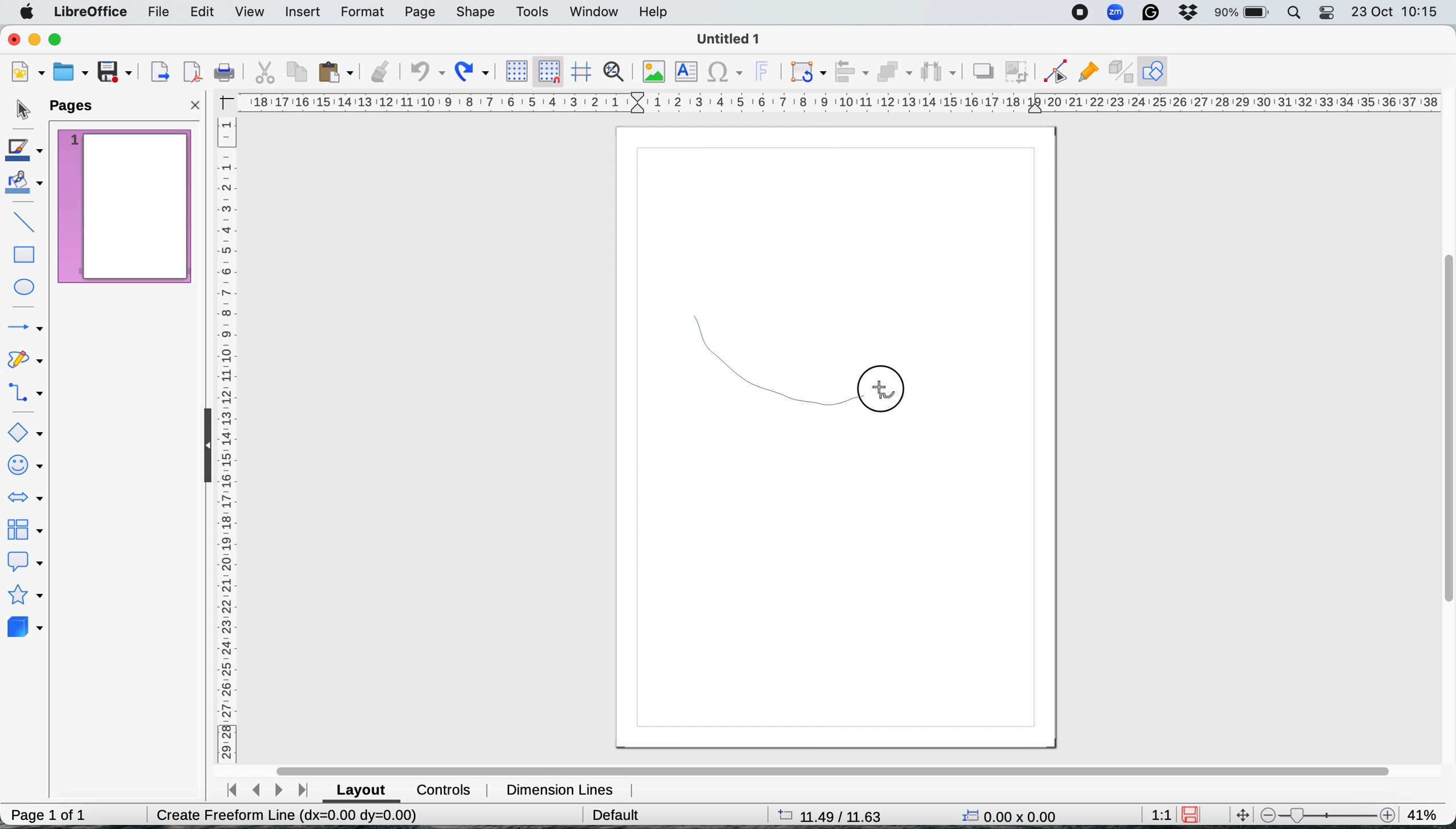  What do you see at coordinates (1153, 72) in the screenshot?
I see `show draw functions` at bounding box center [1153, 72].